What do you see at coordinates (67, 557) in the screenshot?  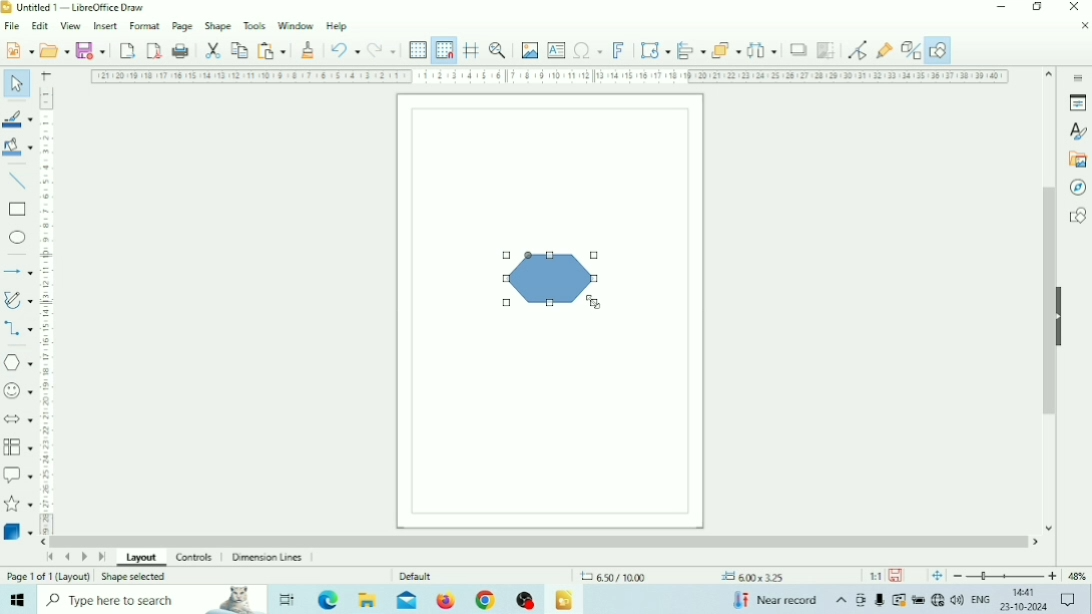 I see `Scroll to previous page` at bounding box center [67, 557].